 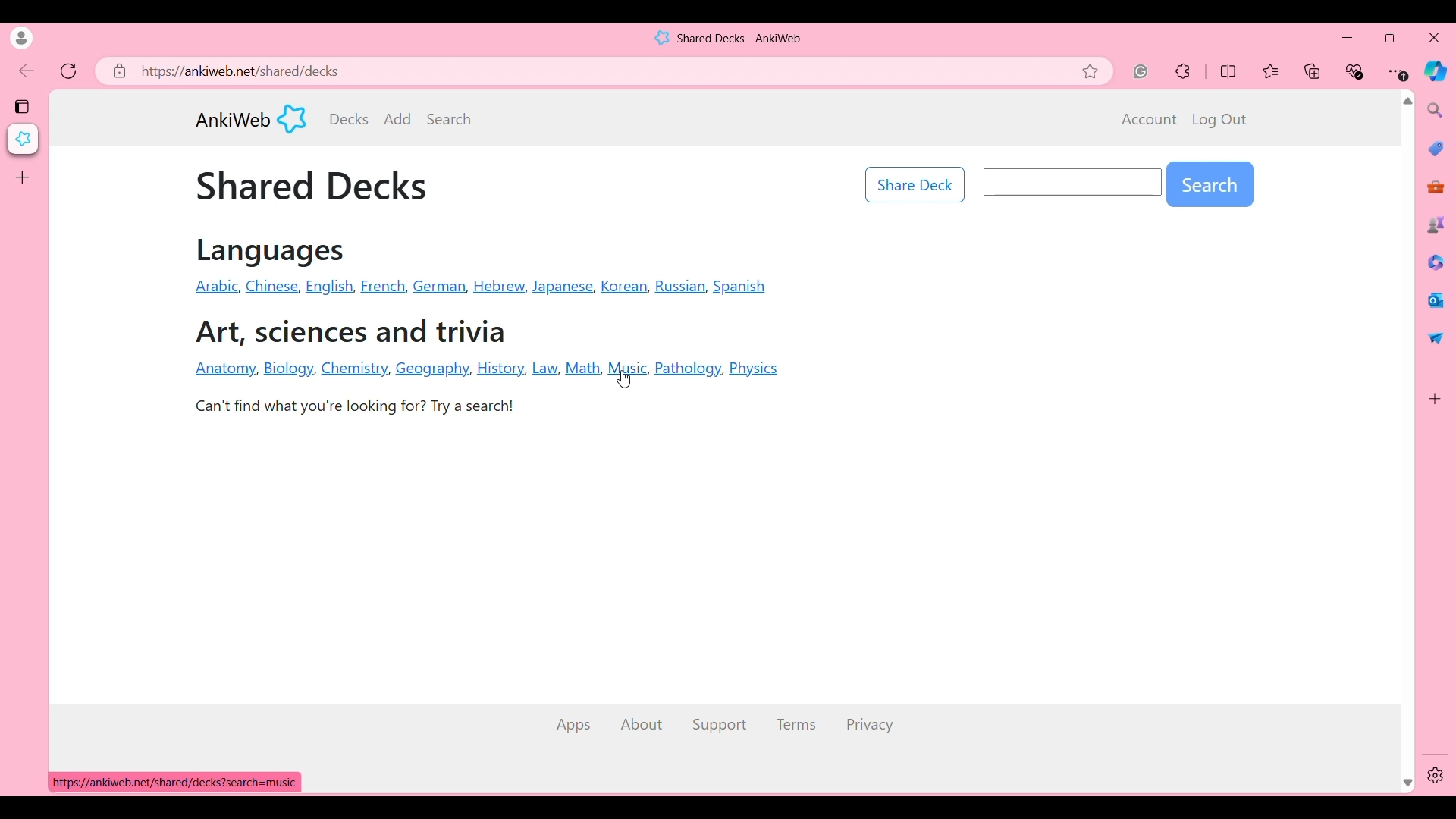 I want to click on Geography, so click(x=430, y=368).